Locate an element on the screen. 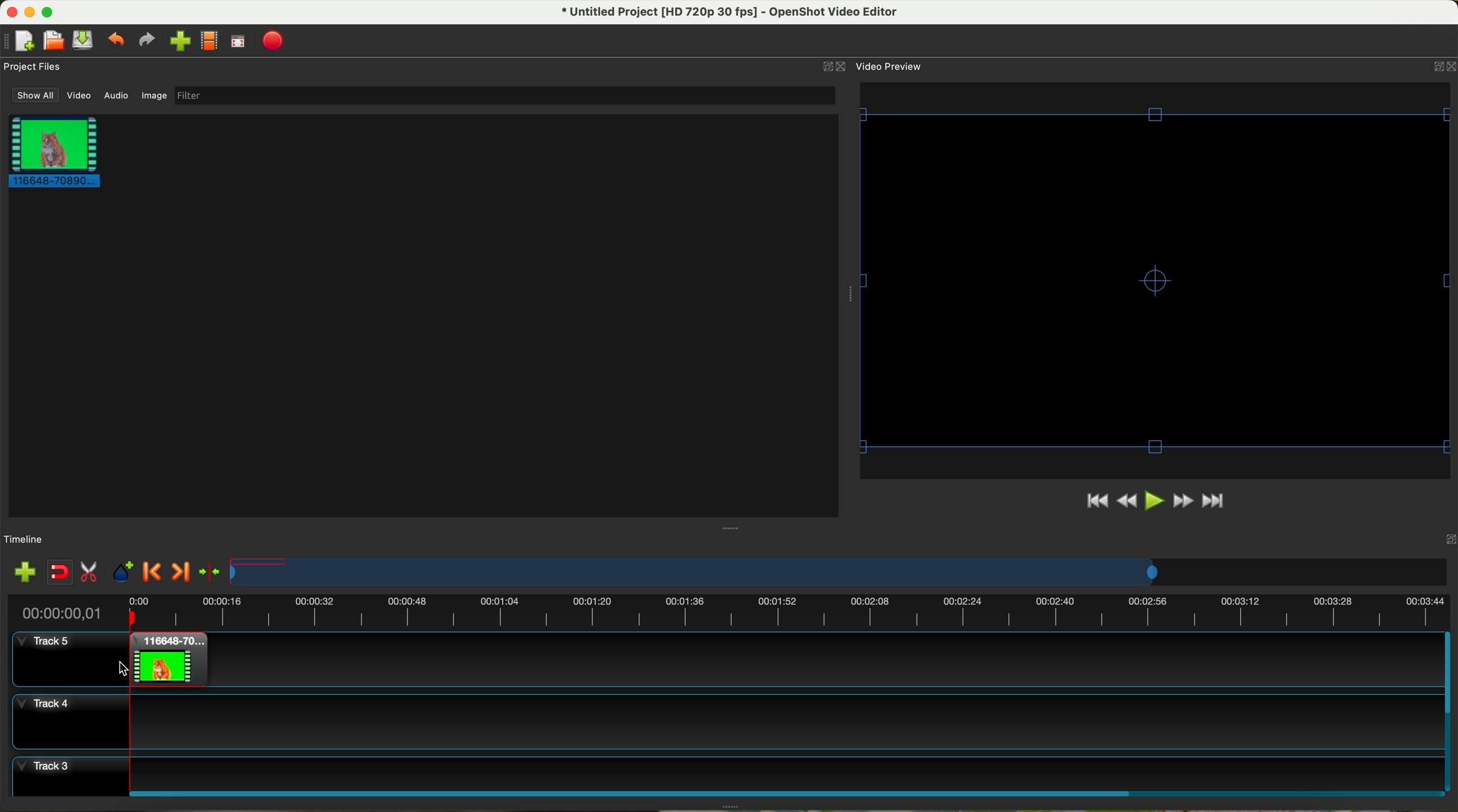 The image size is (1458, 812). track 4 is located at coordinates (725, 721).